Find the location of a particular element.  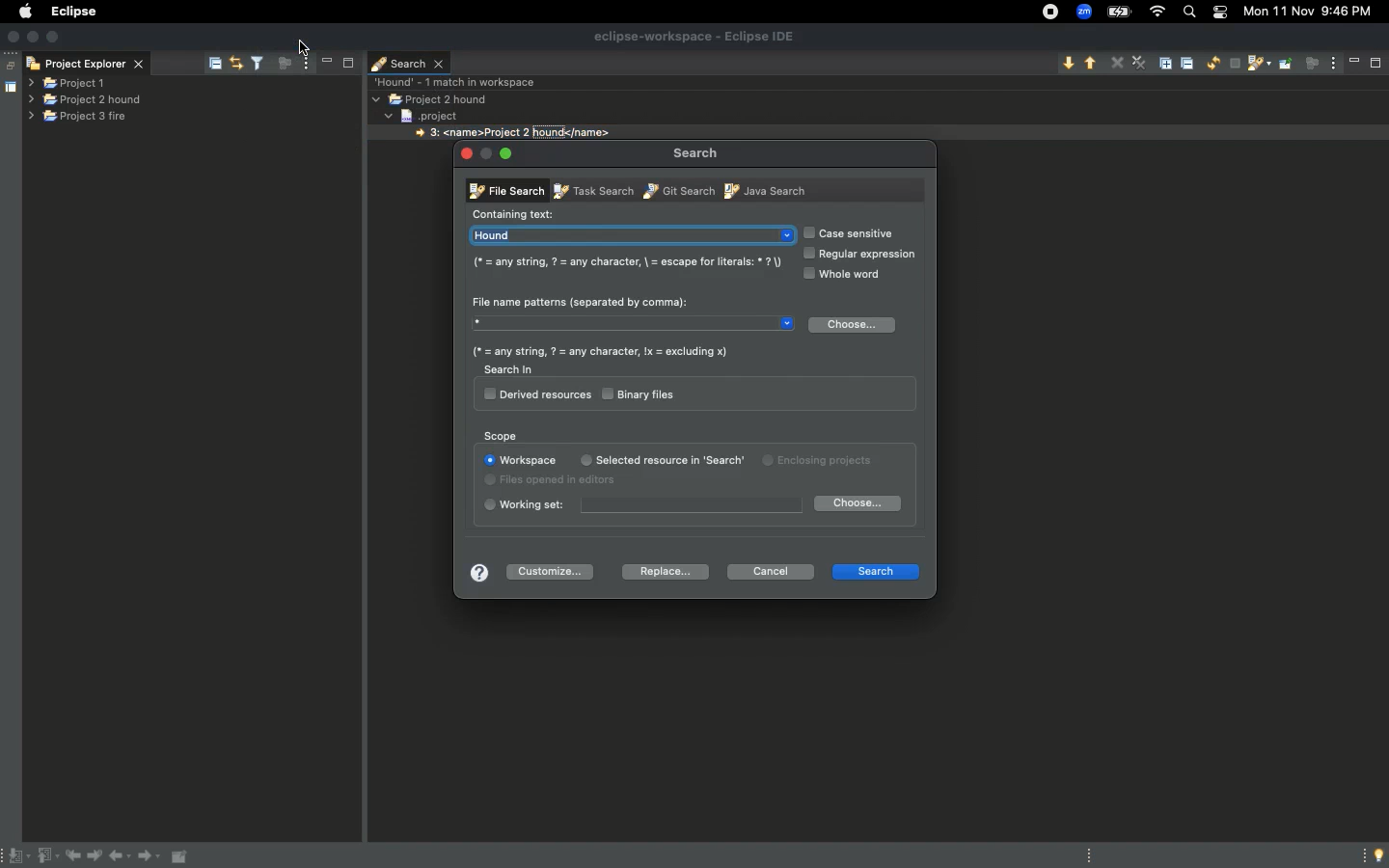

Minimize is located at coordinates (516, 156).